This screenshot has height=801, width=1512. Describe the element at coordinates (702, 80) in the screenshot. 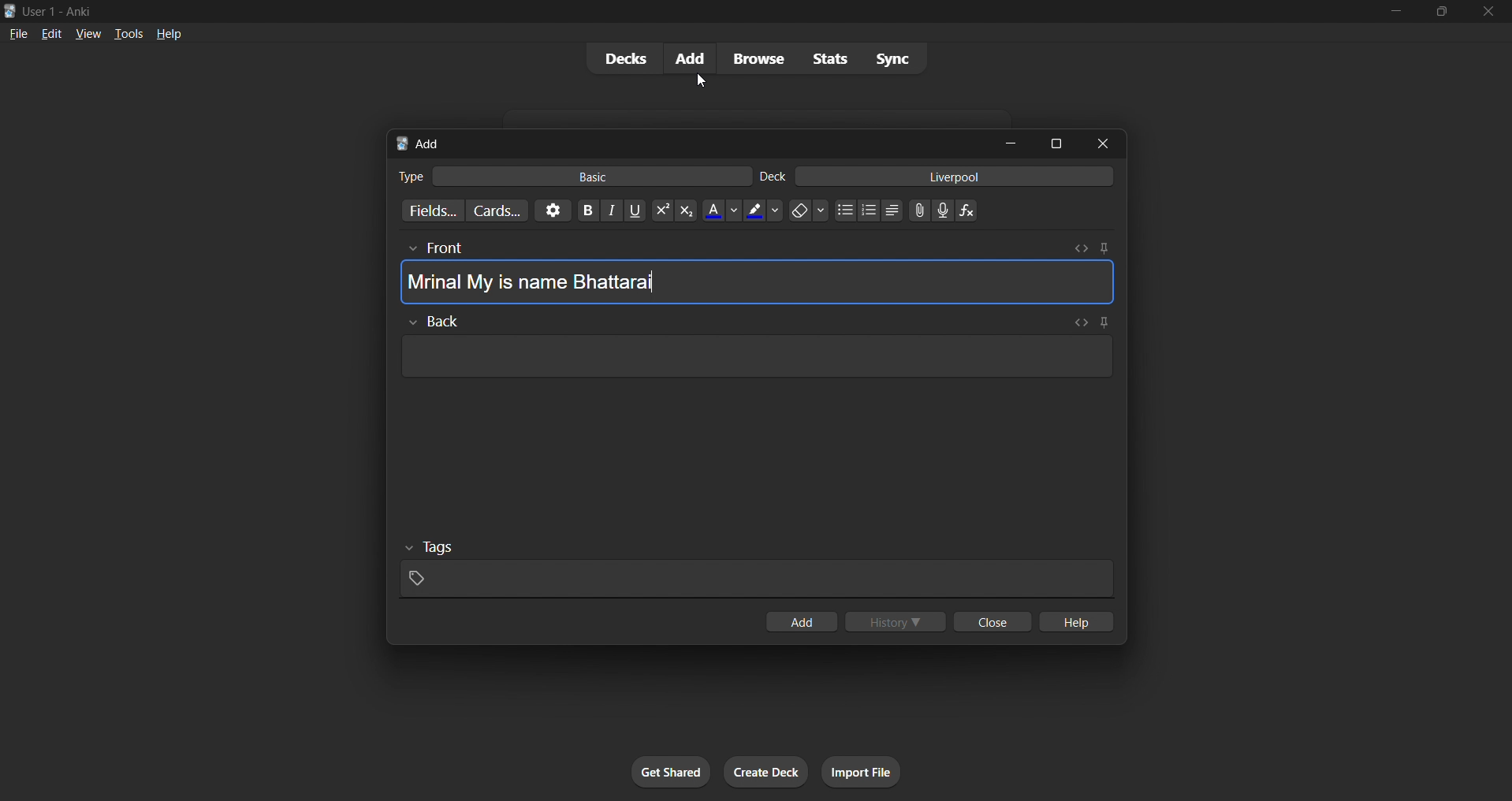

I see `Cursor` at that location.